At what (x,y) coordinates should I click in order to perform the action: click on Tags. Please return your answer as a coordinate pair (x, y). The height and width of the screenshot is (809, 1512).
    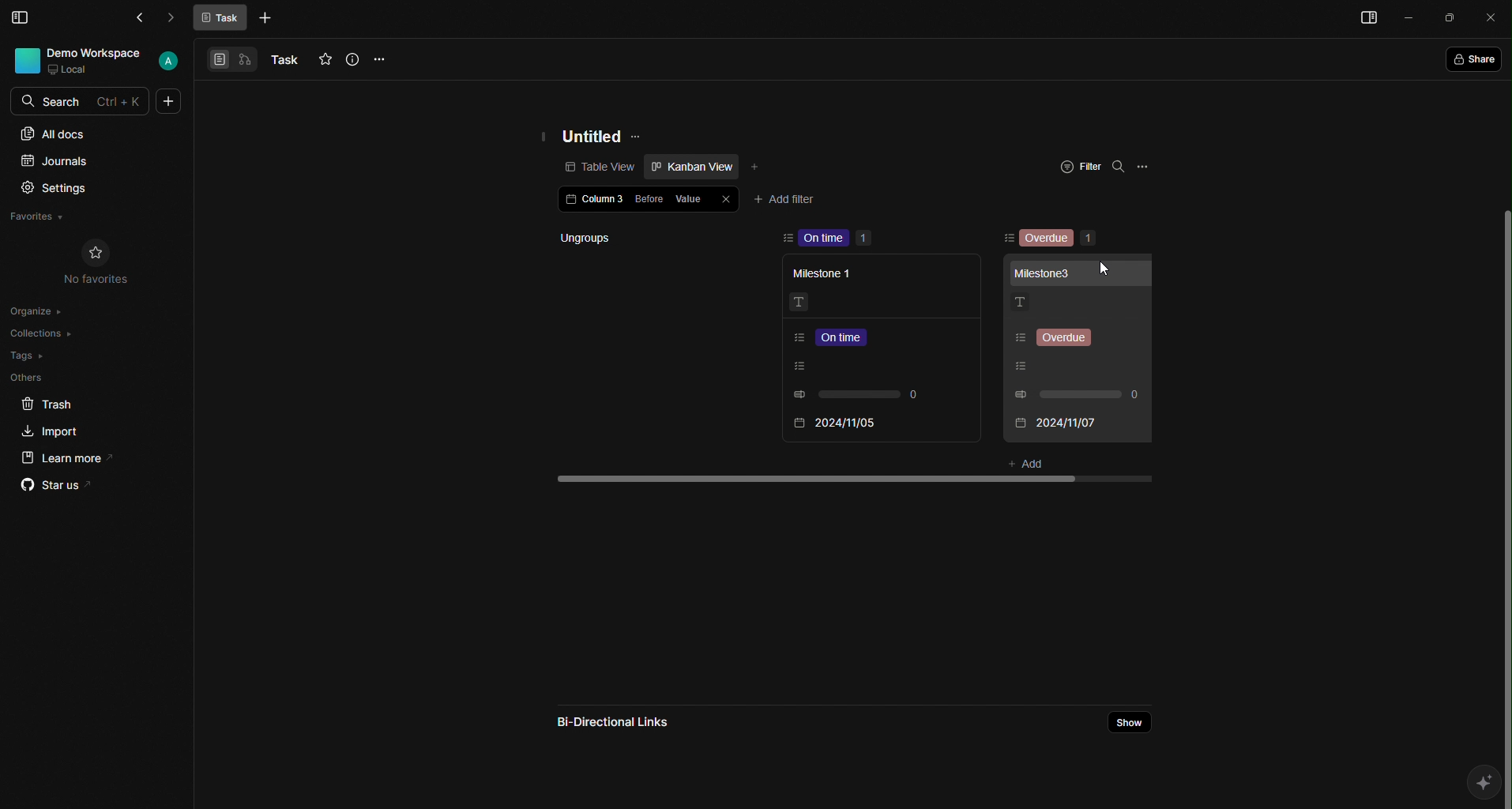
    Looking at the image, I should click on (31, 356).